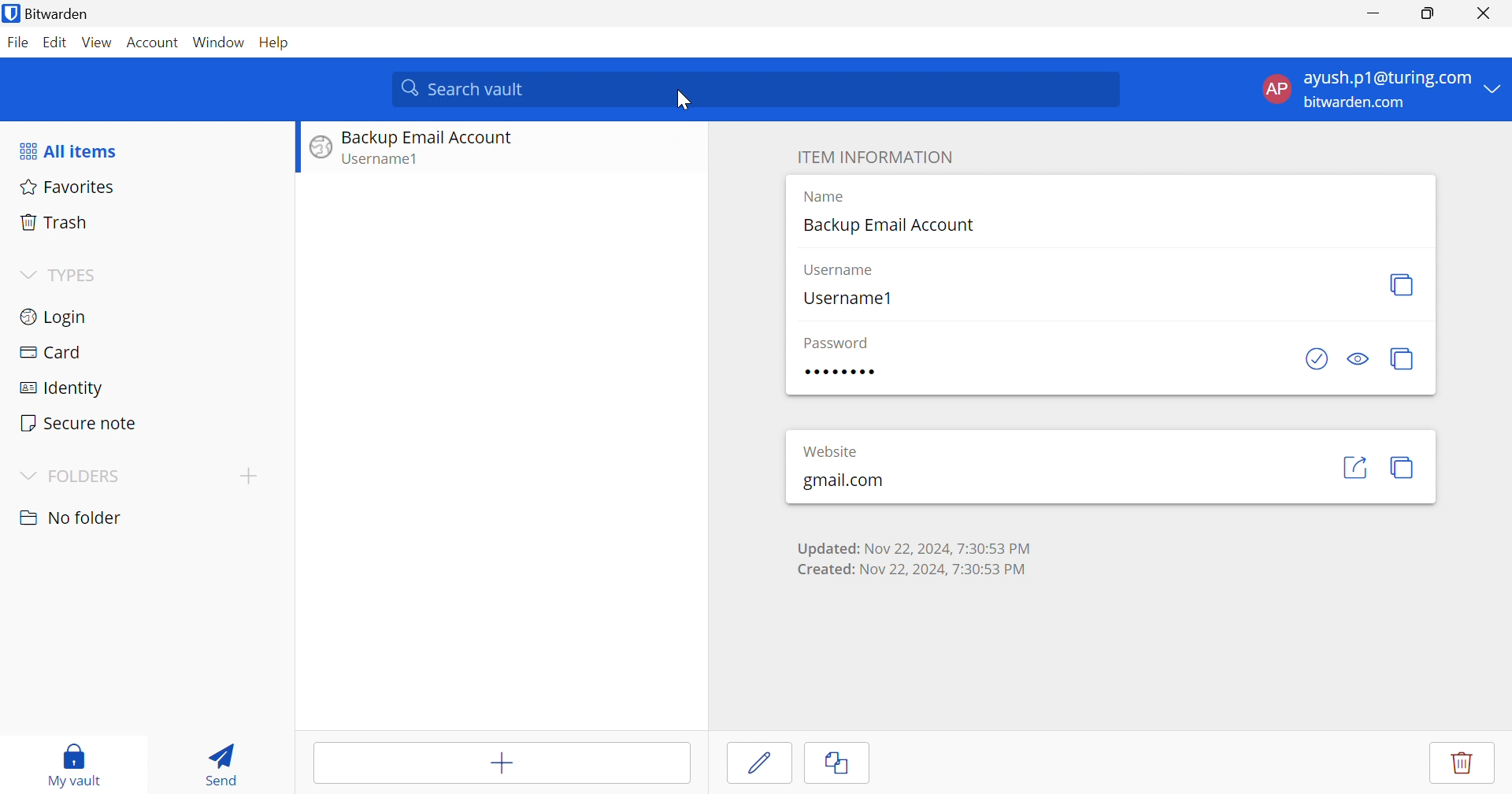 Image resolution: width=1512 pixels, height=794 pixels. Describe the element at coordinates (681, 100) in the screenshot. I see `Cursor` at that location.